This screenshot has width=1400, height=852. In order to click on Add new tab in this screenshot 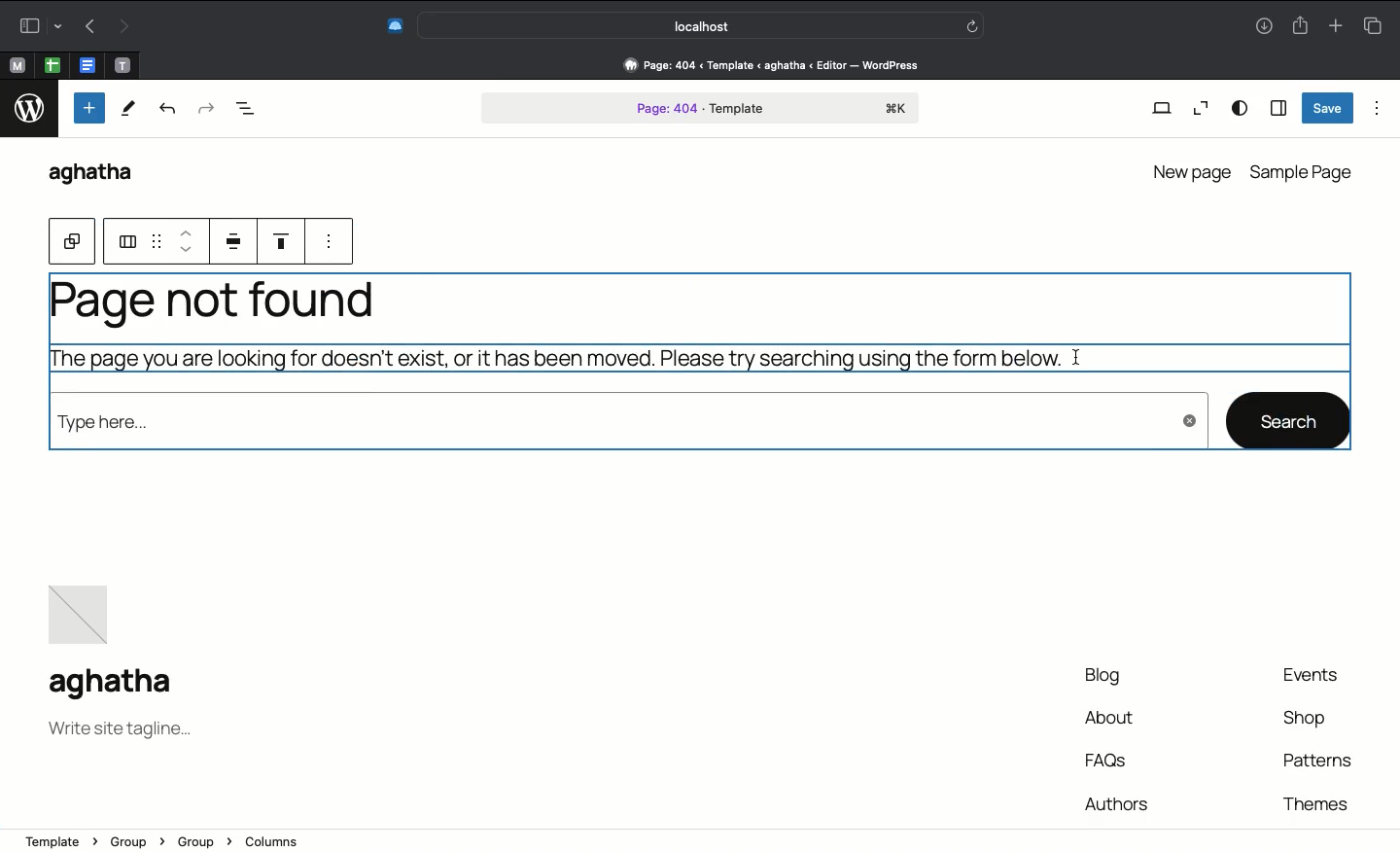, I will do `click(1335, 22)`.